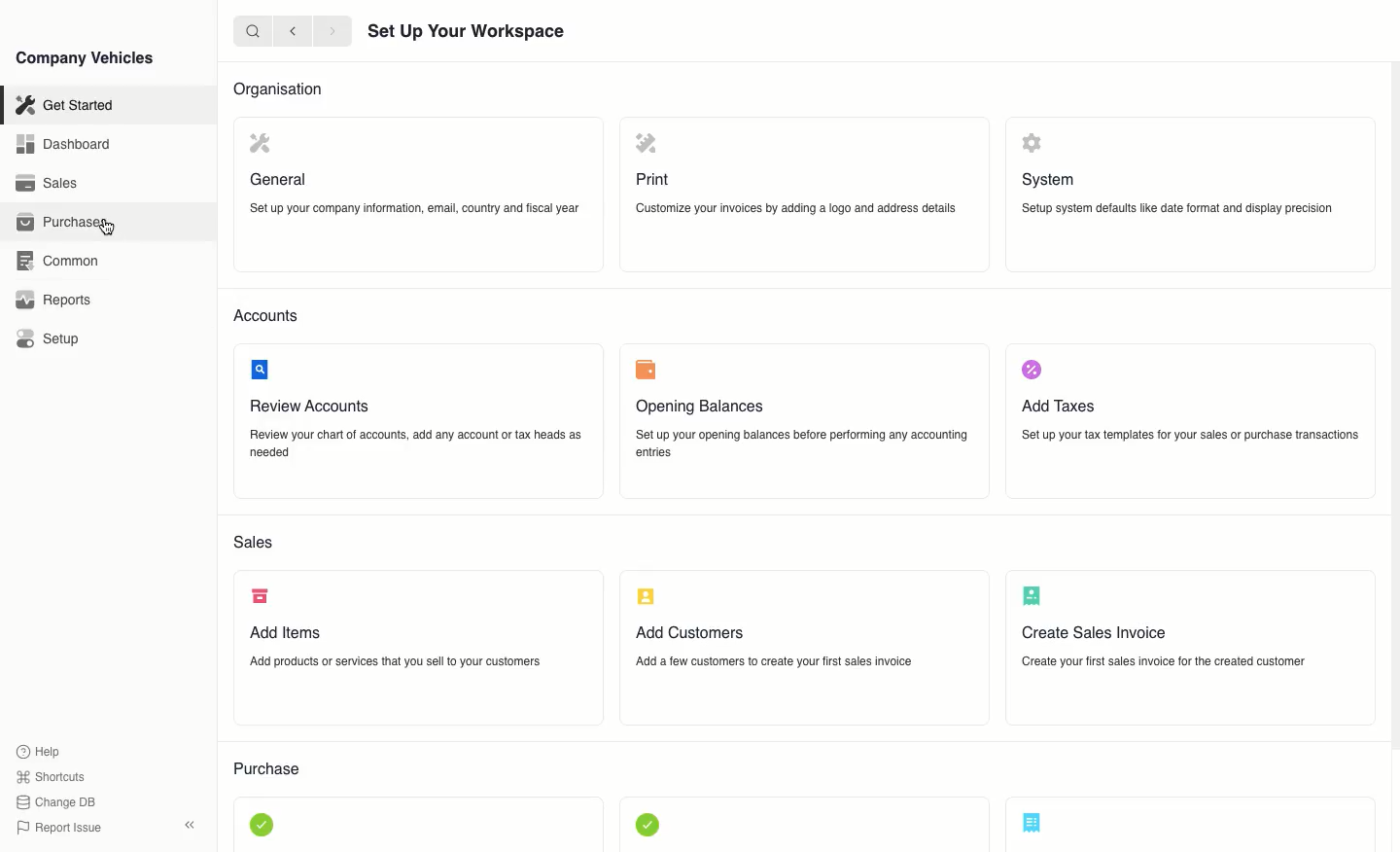  I want to click on common, so click(57, 261).